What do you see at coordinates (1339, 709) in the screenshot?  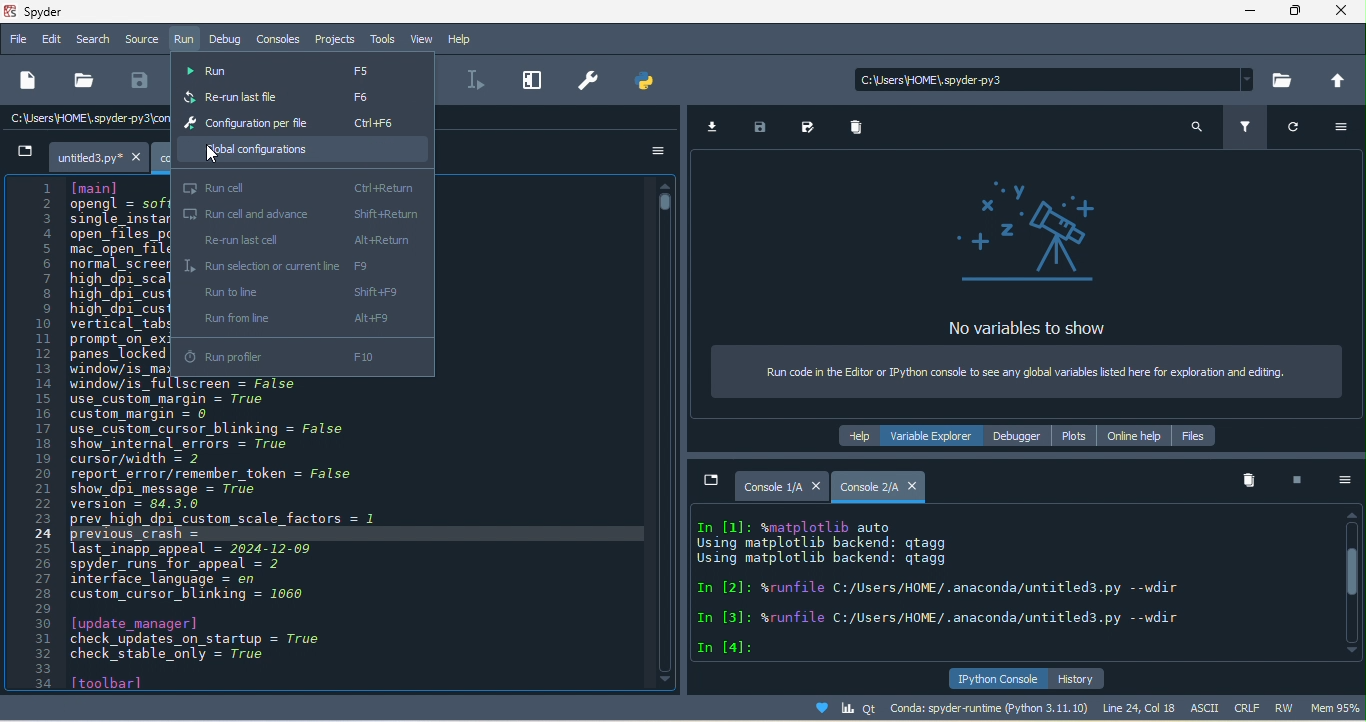 I see `mem 95%` at bounding box center [1339, 709].